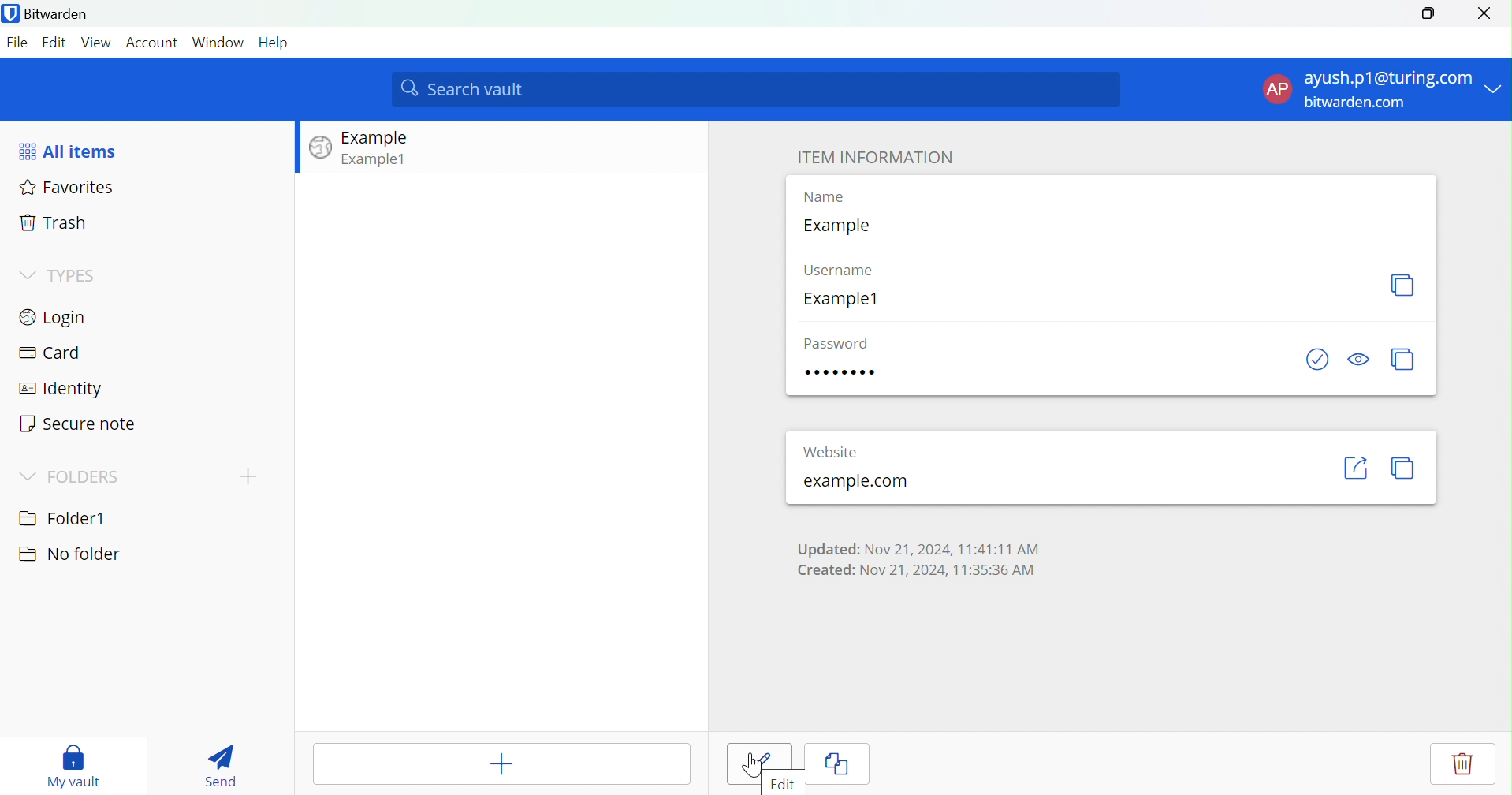 Image resolution: width=1512 pixels, height=795 pixels. What do you see at coordinates (754, 762) in the screenshot?
I see `Cursor` at bounding box center [754, 762].